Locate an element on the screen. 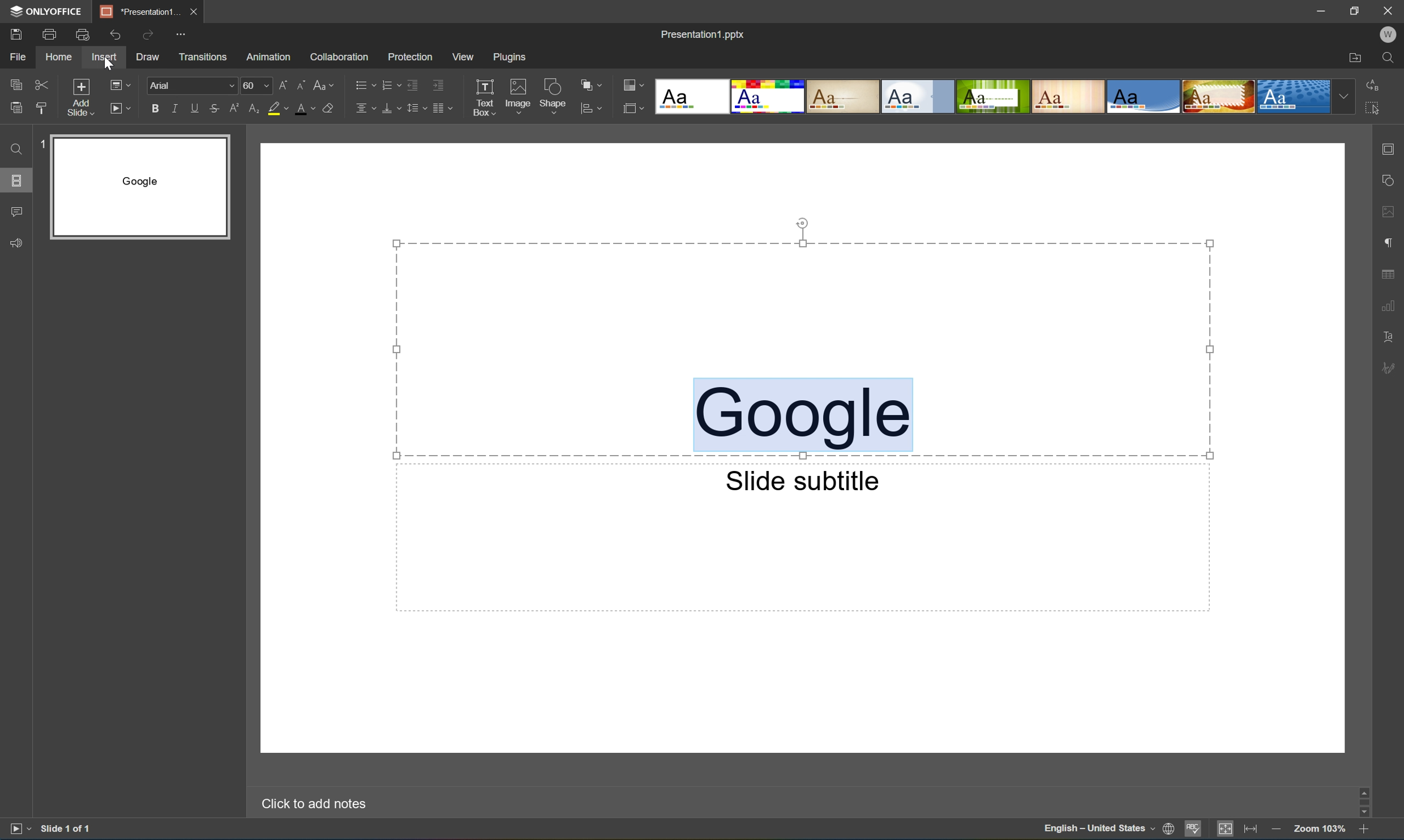 The image size is (1404, 840). Increase indent is located at coordinates (440, 83).